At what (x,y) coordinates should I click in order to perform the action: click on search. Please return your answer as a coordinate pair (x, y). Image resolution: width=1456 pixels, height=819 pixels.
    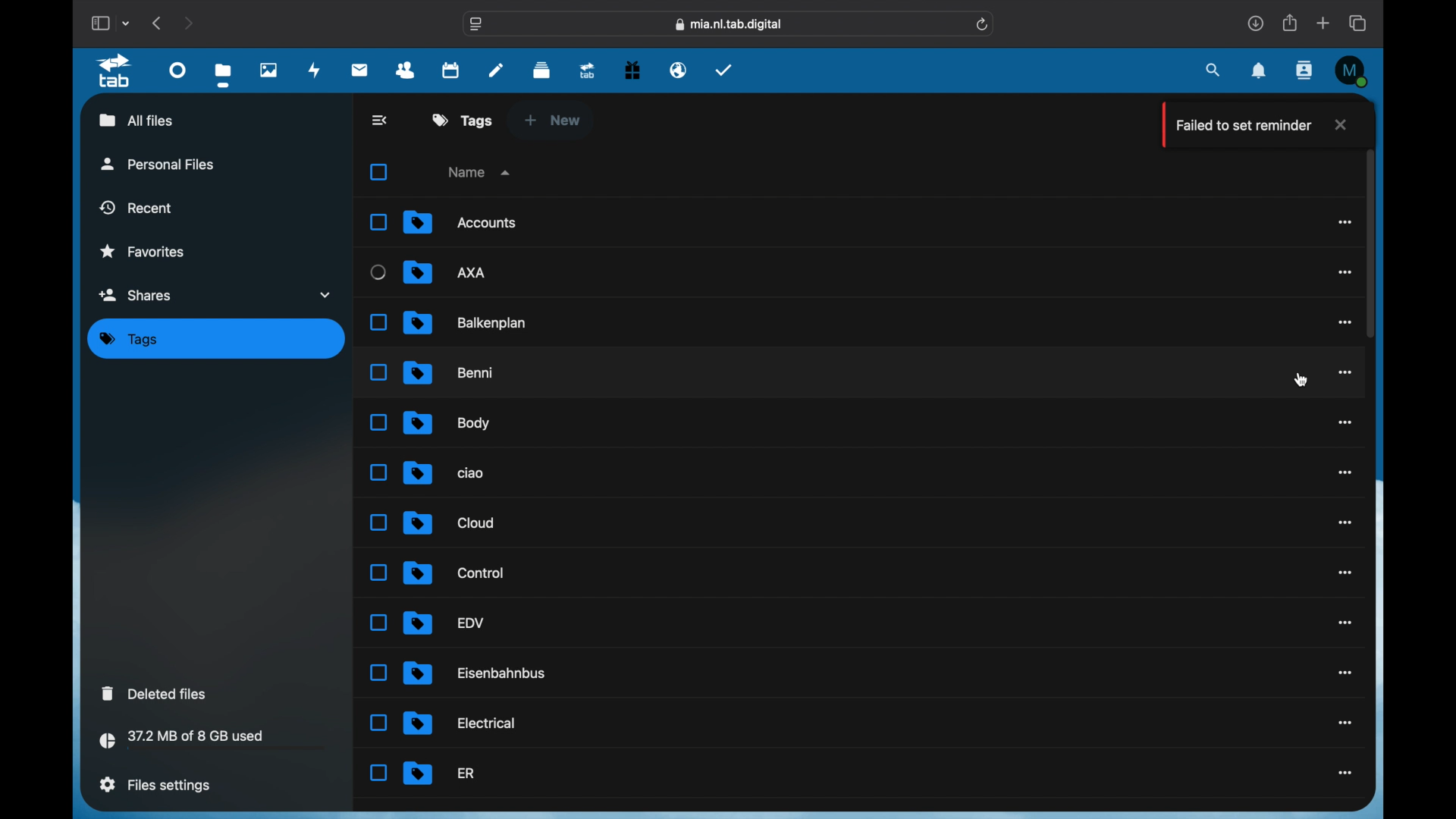
    Looking at the image, I should click on (1213, 70).